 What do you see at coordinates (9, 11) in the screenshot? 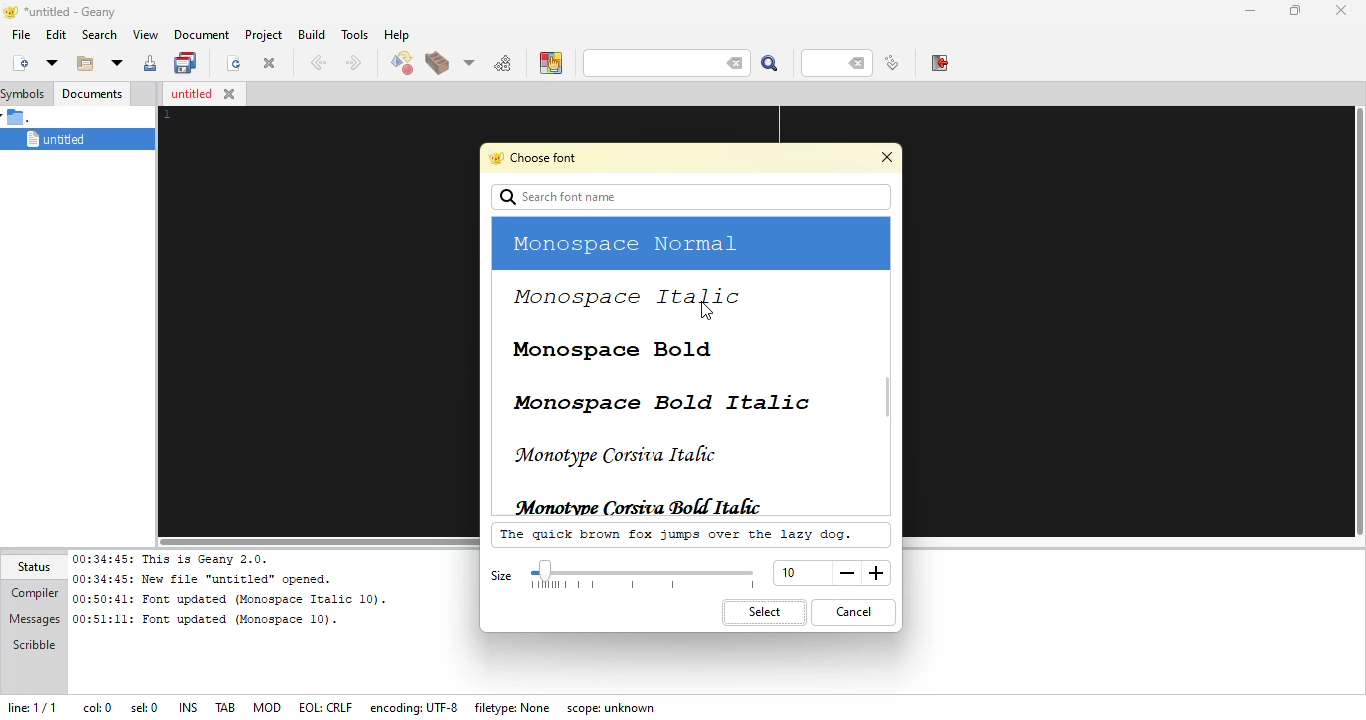
I see `logo` at bounding box center [9, 11].